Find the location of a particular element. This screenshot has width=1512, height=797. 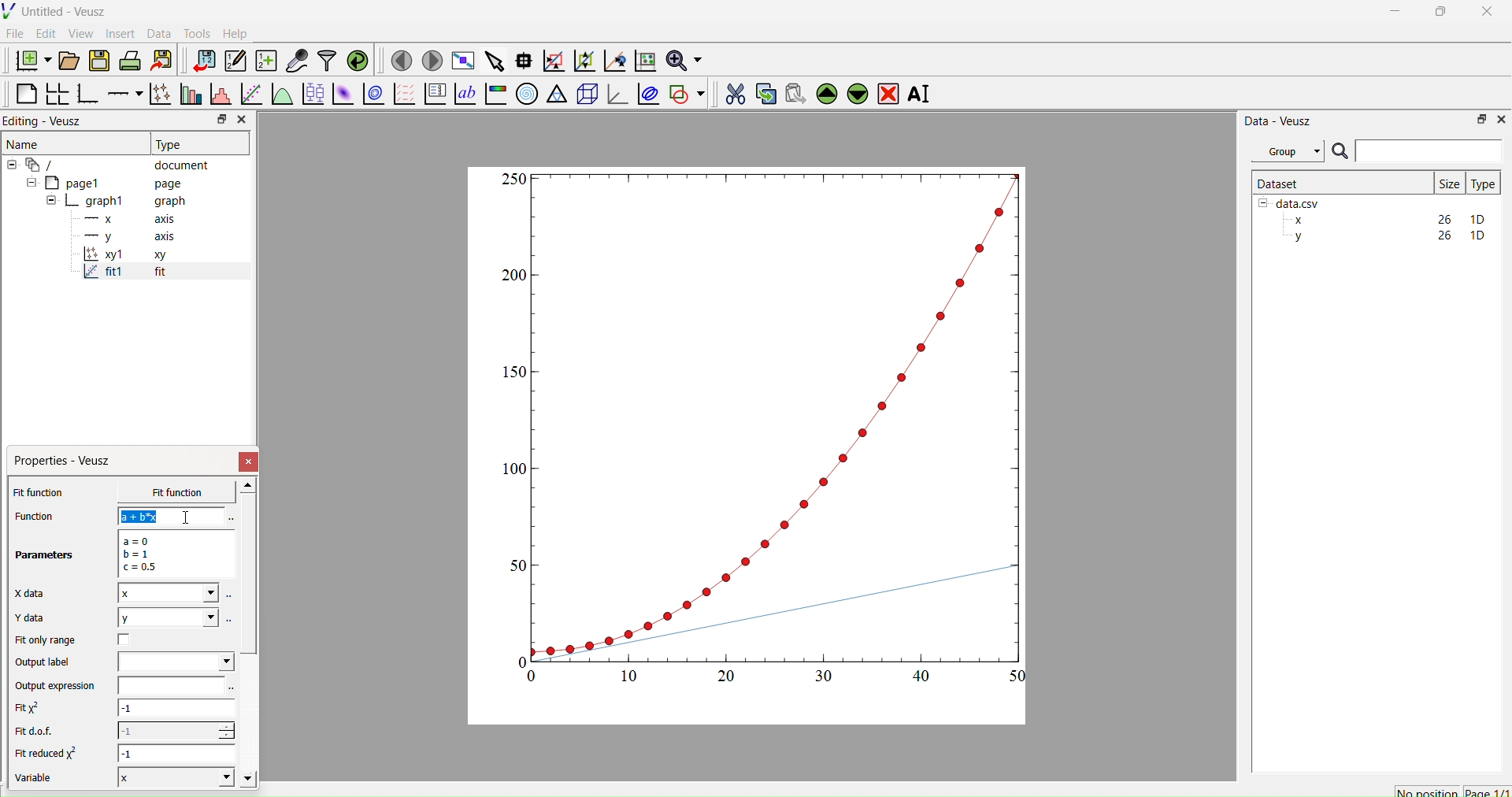

Fit a function to data is located at coordinates (250, 95).